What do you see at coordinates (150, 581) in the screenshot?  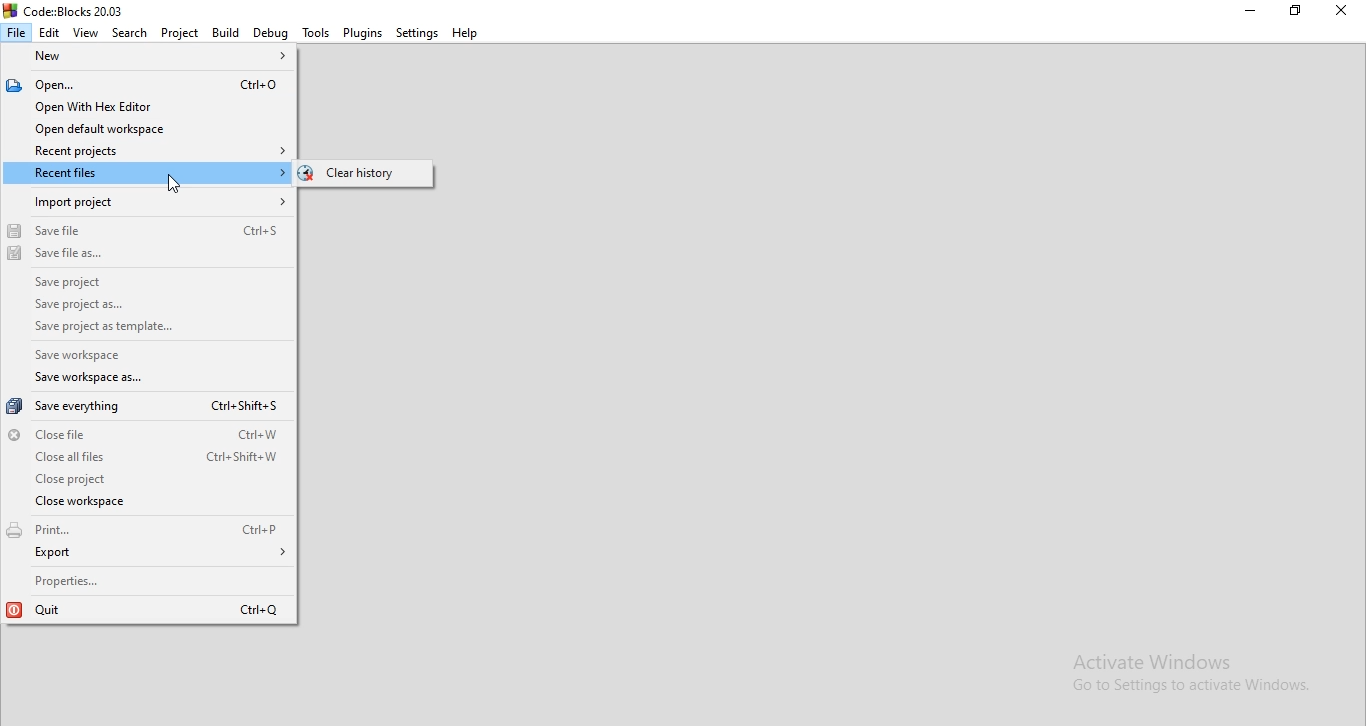 I see `Properties..` at bounding box center [150, 581].